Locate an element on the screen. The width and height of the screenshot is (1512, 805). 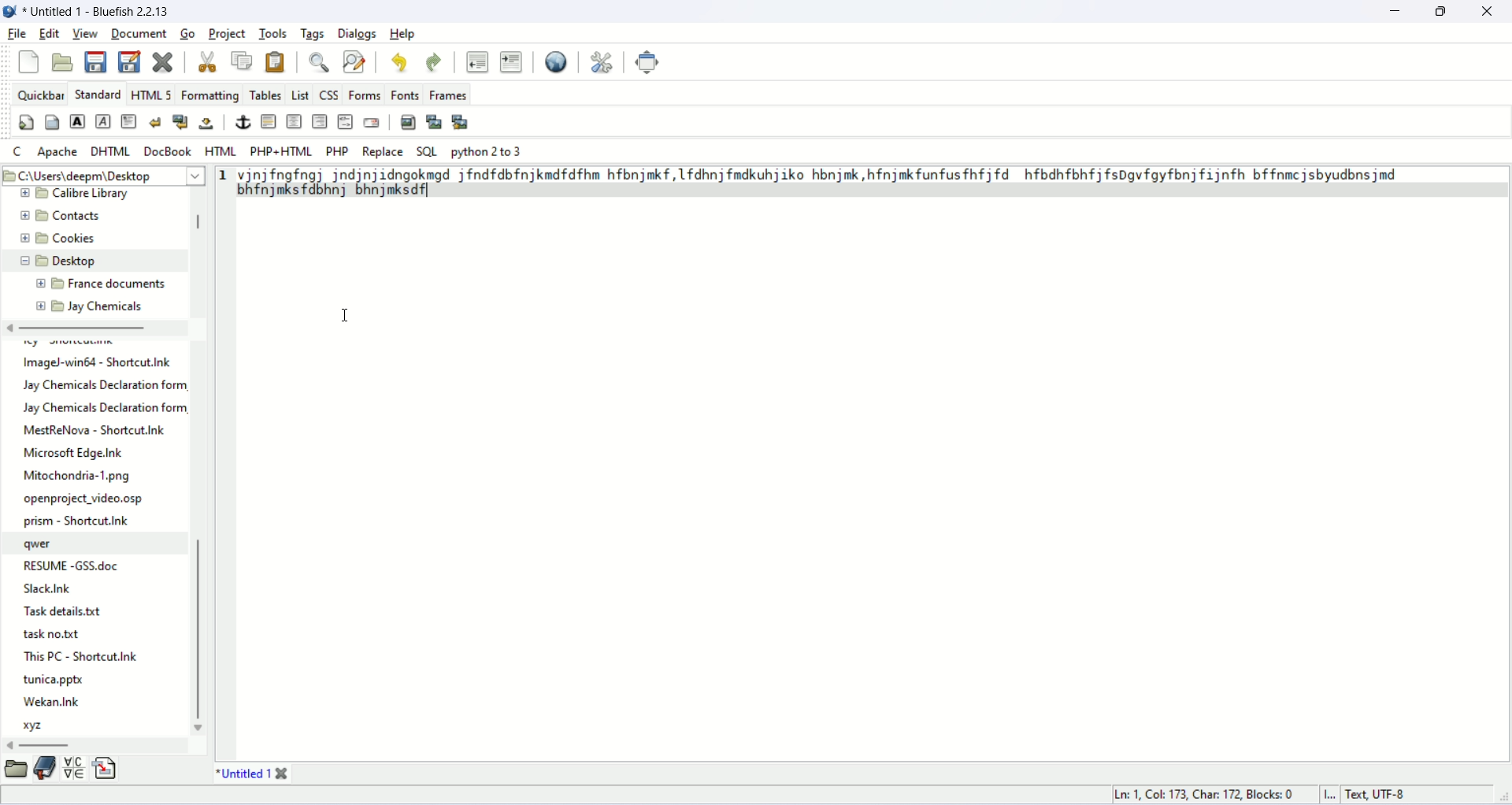
undo is located at coordinates (402, 65).